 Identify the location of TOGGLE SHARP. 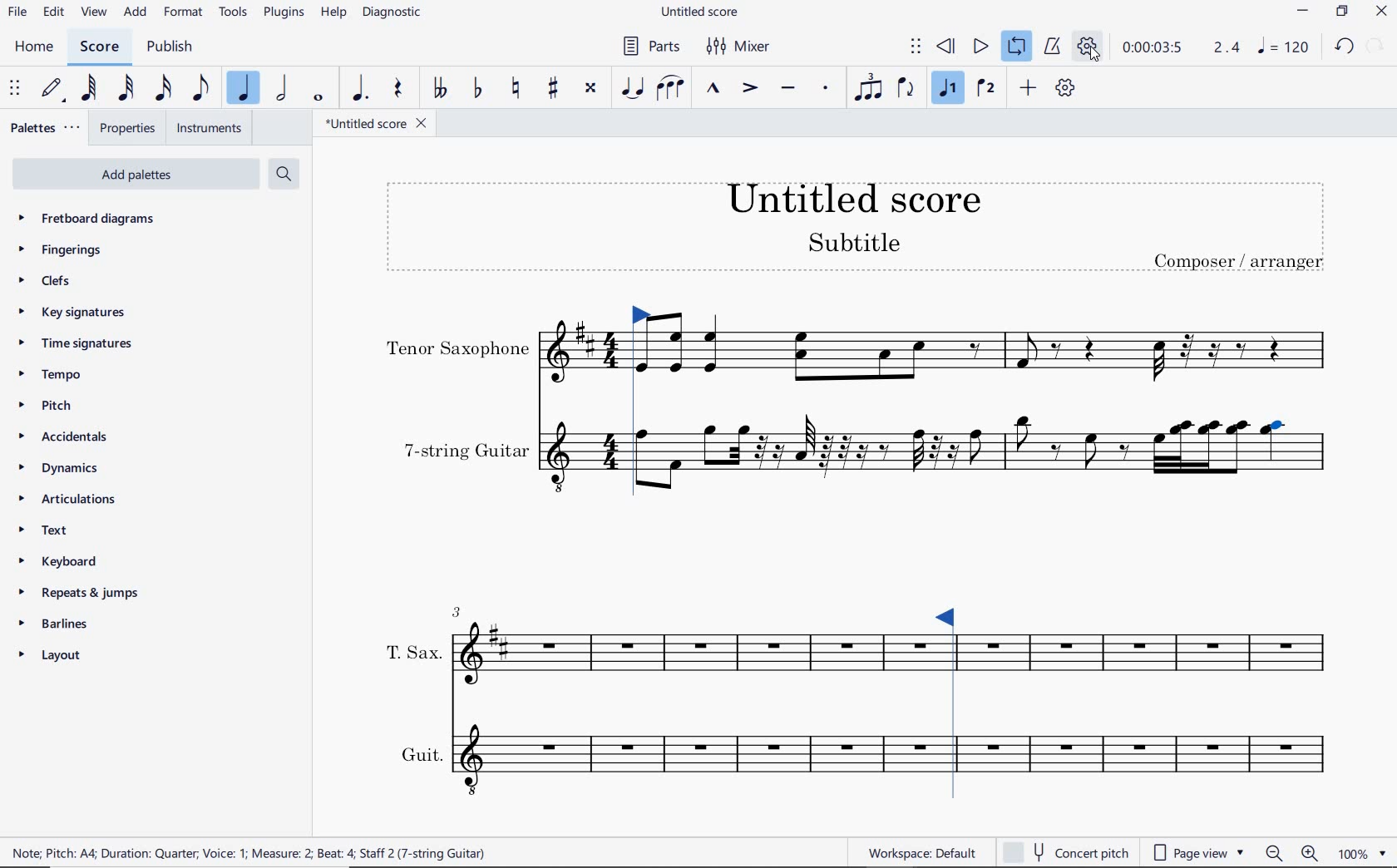
(554, 87).